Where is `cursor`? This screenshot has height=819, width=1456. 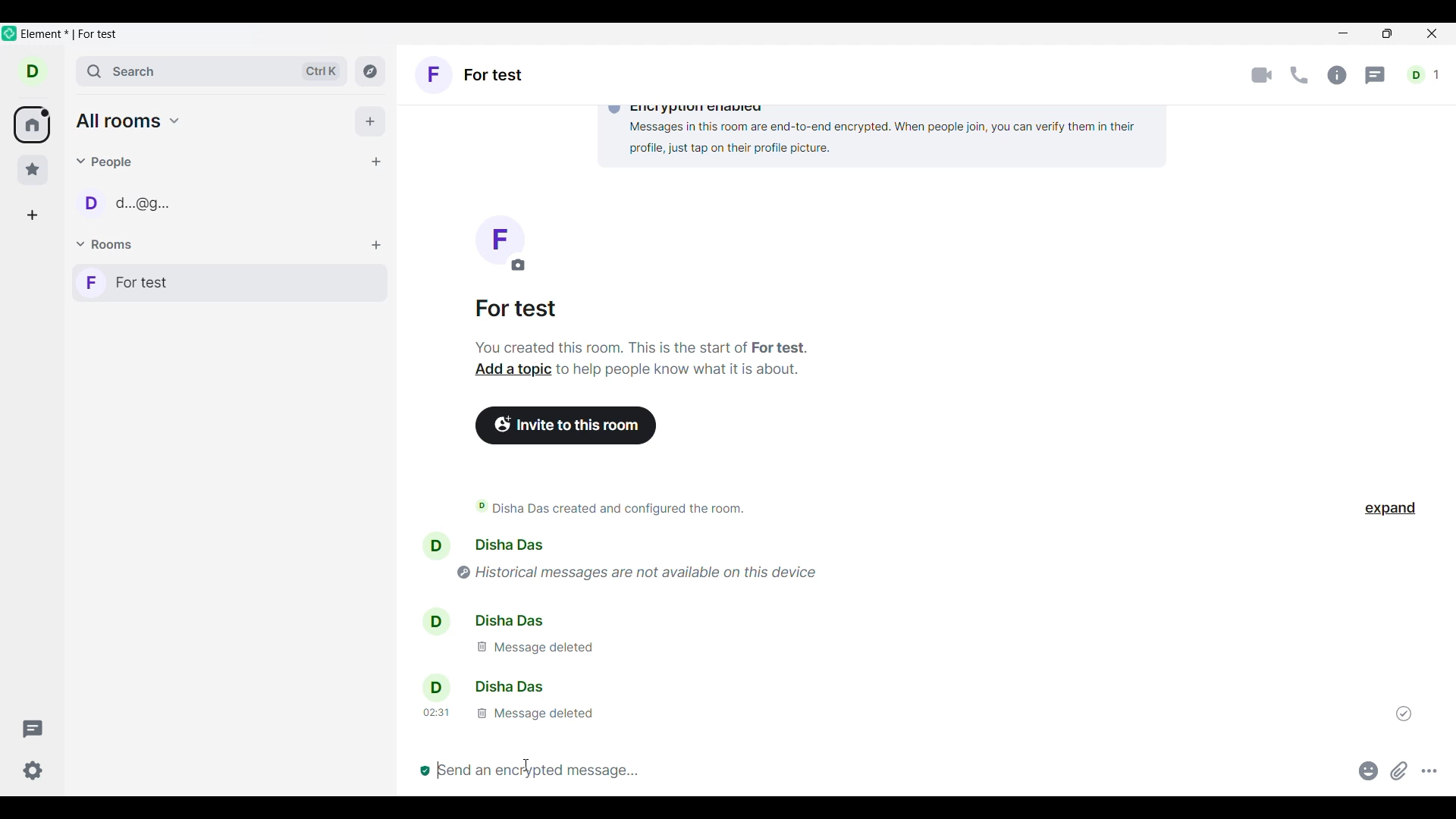
cursor is located at coordinates (526, 763).